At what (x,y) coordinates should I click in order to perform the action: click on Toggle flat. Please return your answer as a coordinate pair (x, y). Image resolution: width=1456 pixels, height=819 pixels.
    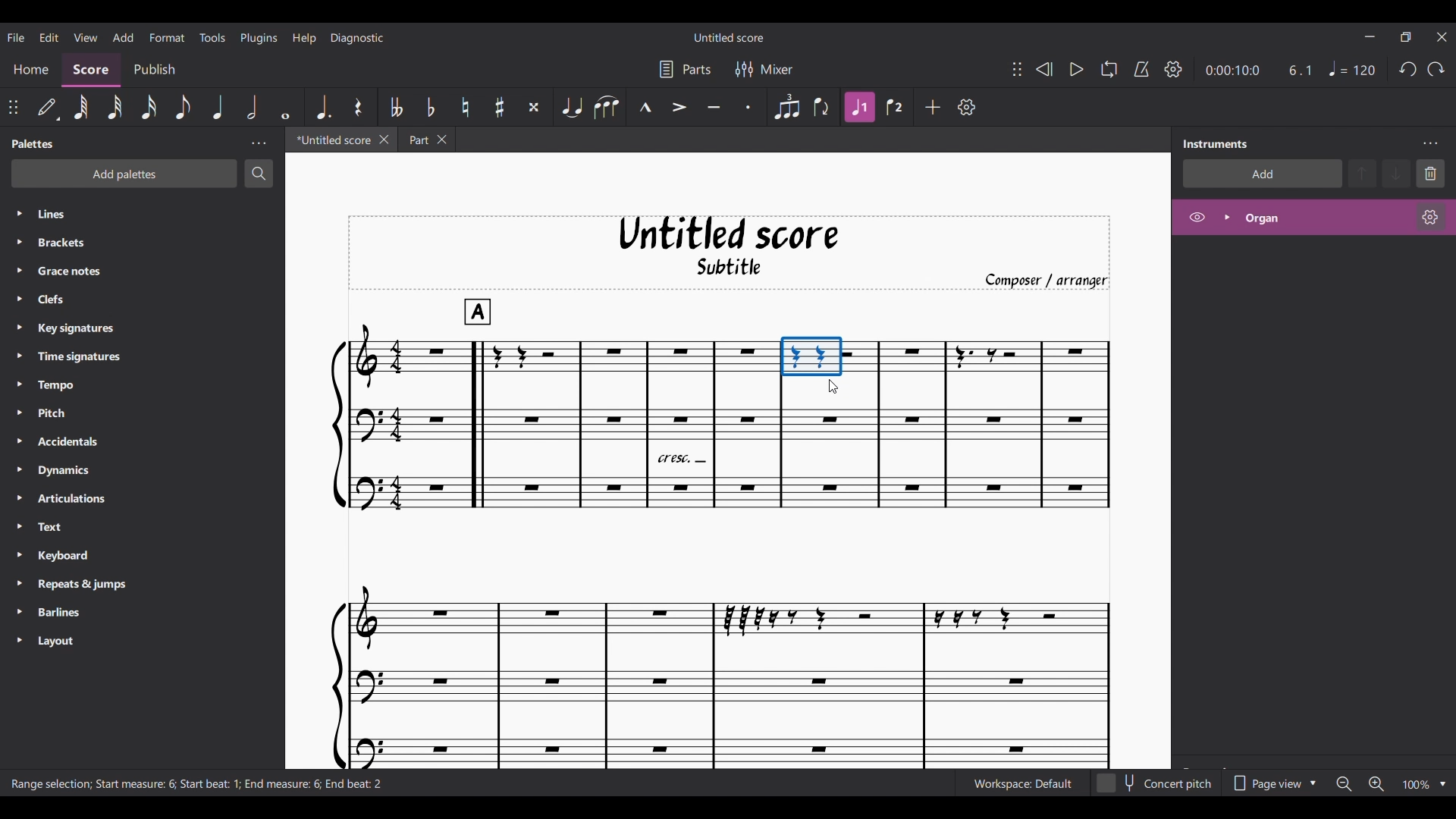
    Looking at the image, I should click on (430, 107).